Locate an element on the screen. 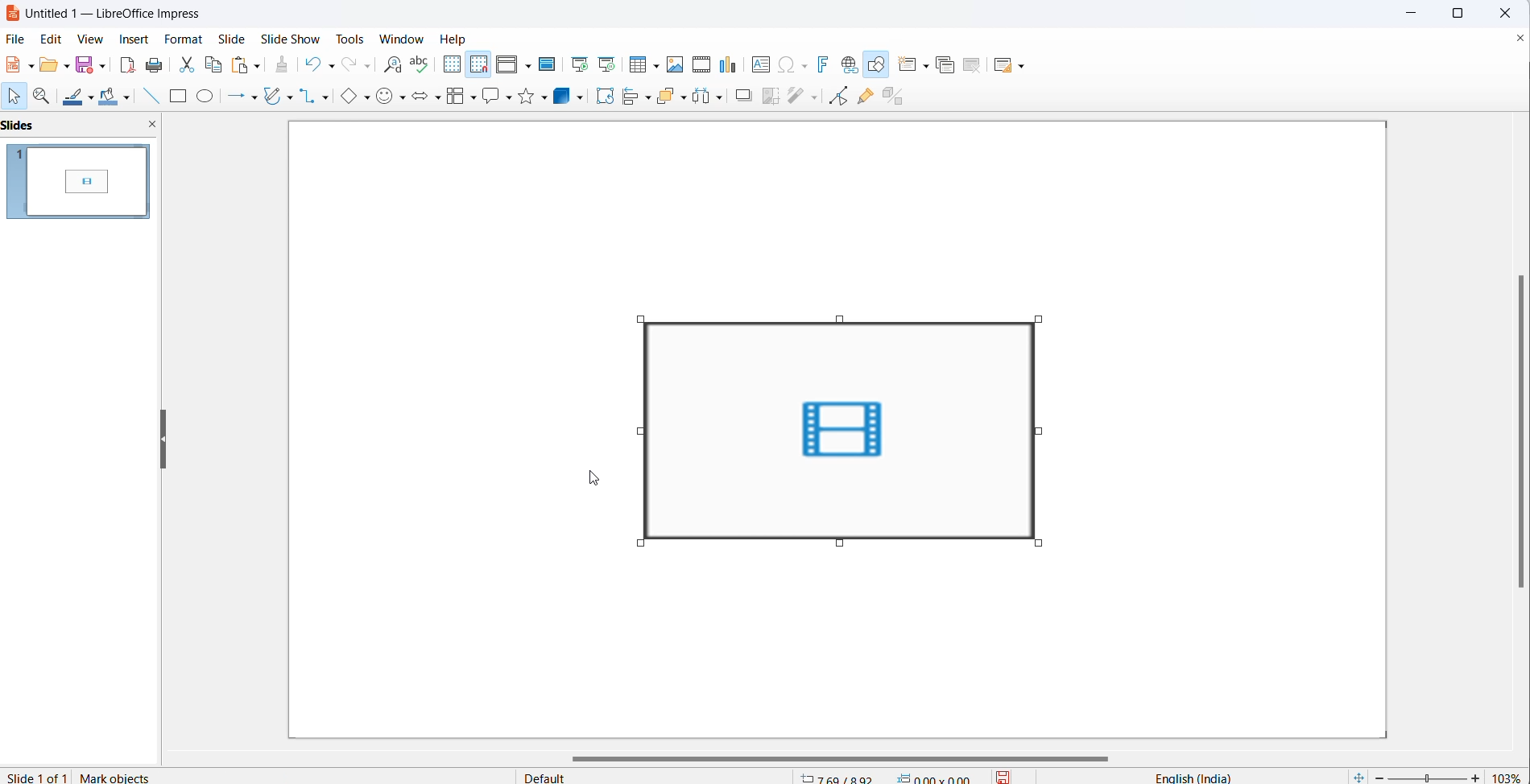  draw shapes tool is located at coordinates (879, 65).